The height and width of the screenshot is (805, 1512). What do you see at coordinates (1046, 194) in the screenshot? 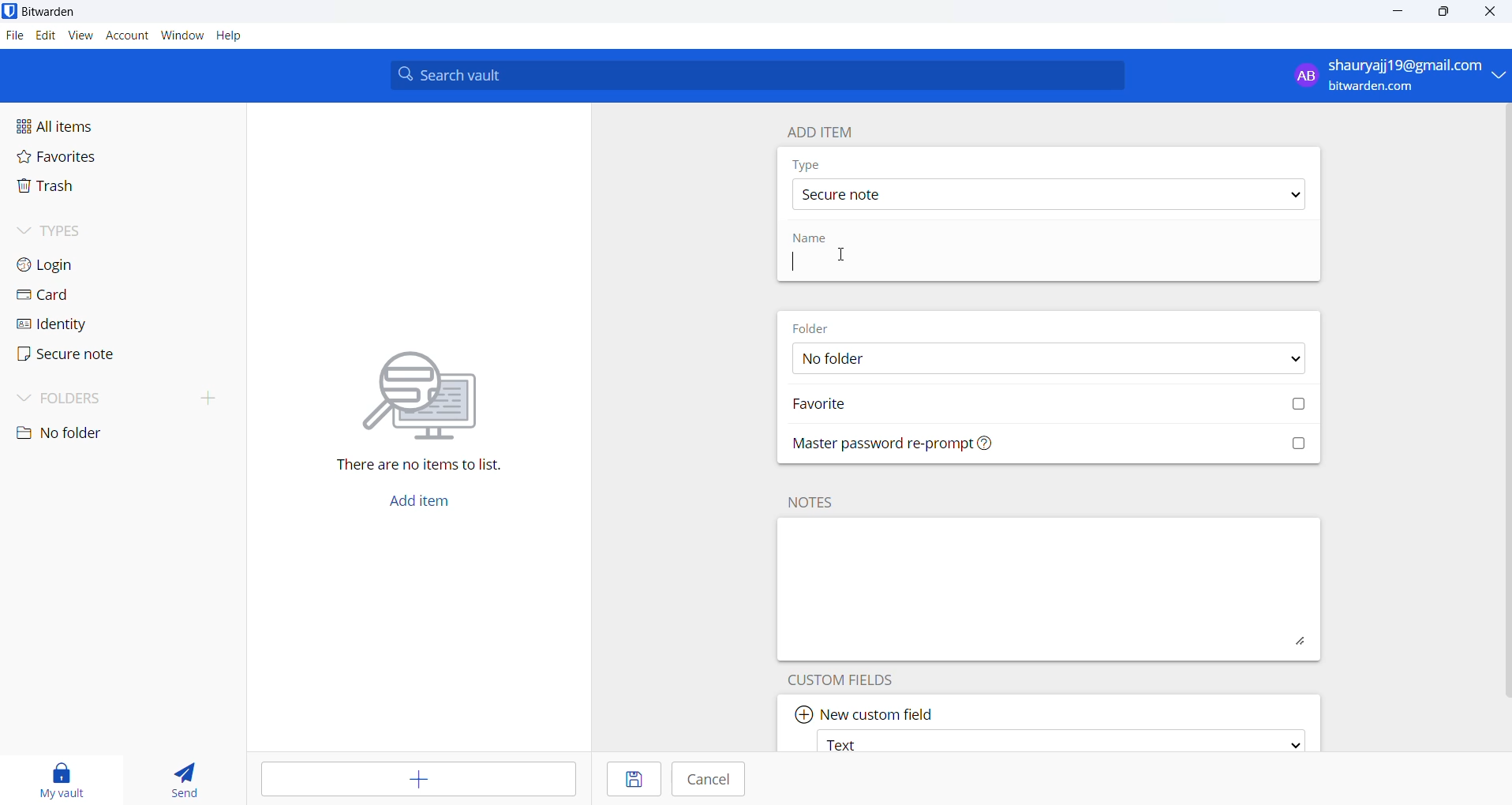
I see `secure note ` at bounding box center [1046, 194].